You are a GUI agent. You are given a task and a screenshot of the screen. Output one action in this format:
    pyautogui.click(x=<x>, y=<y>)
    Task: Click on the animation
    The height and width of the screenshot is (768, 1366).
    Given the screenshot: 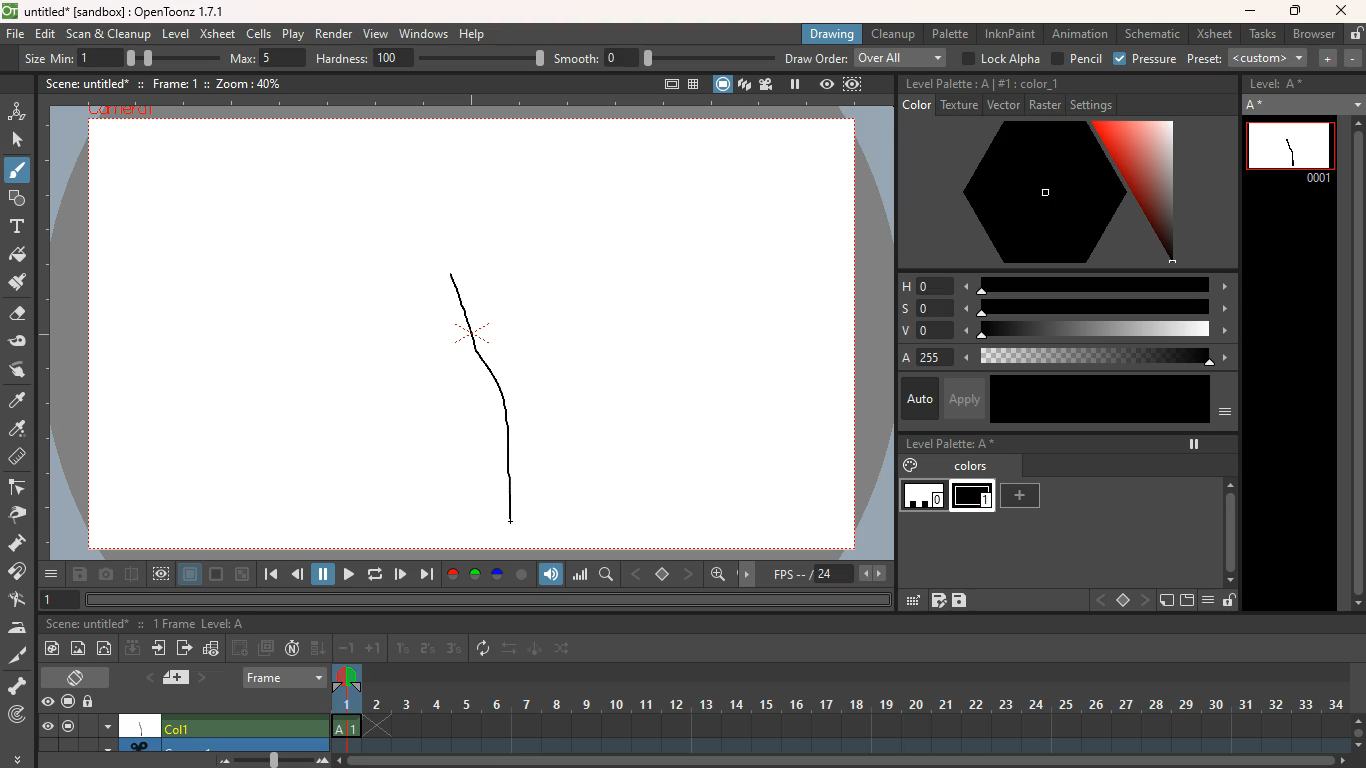 What is the action you would take?
    pyautogui.click(x=1080, y=34)
    